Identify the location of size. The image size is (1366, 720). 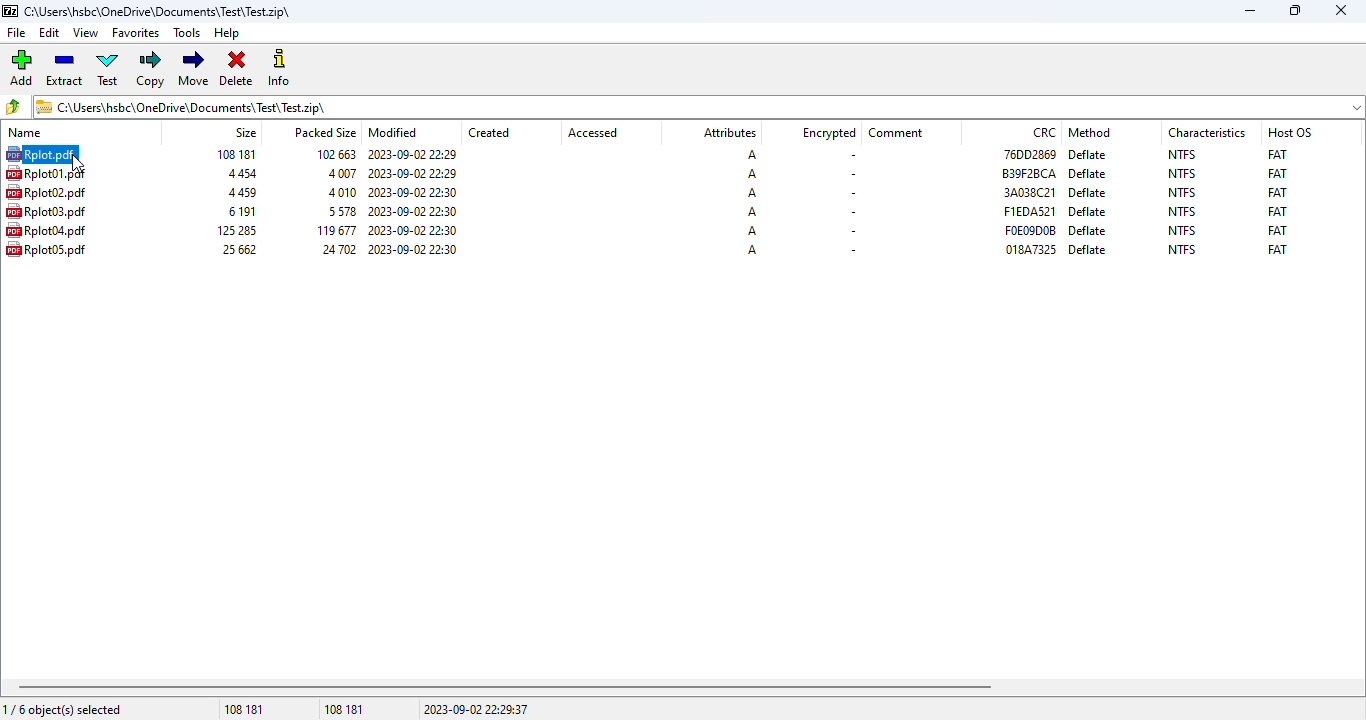
(240, 193).